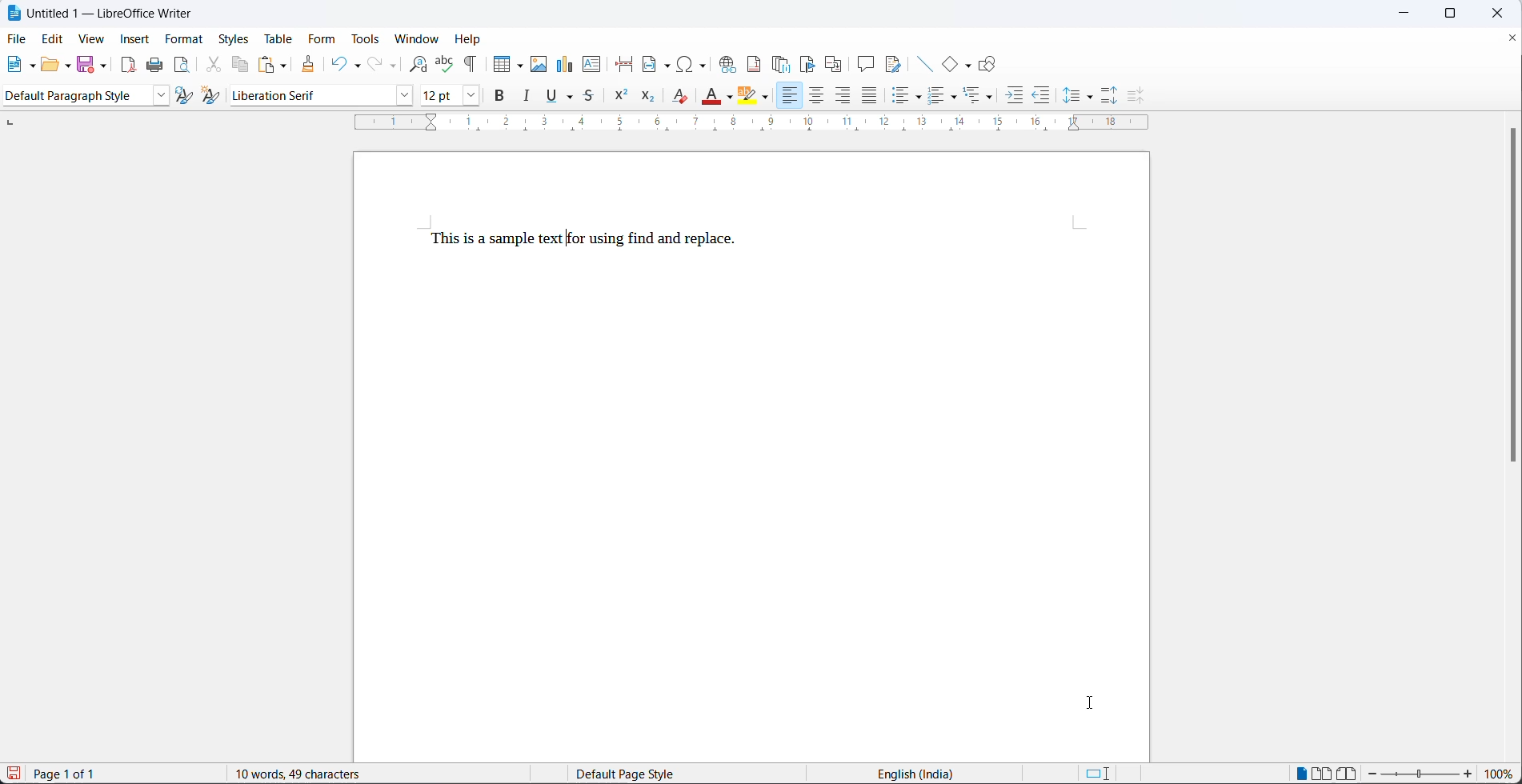 The image size is (1522, 784). I want to click on basic shapes, so click(951, 64).